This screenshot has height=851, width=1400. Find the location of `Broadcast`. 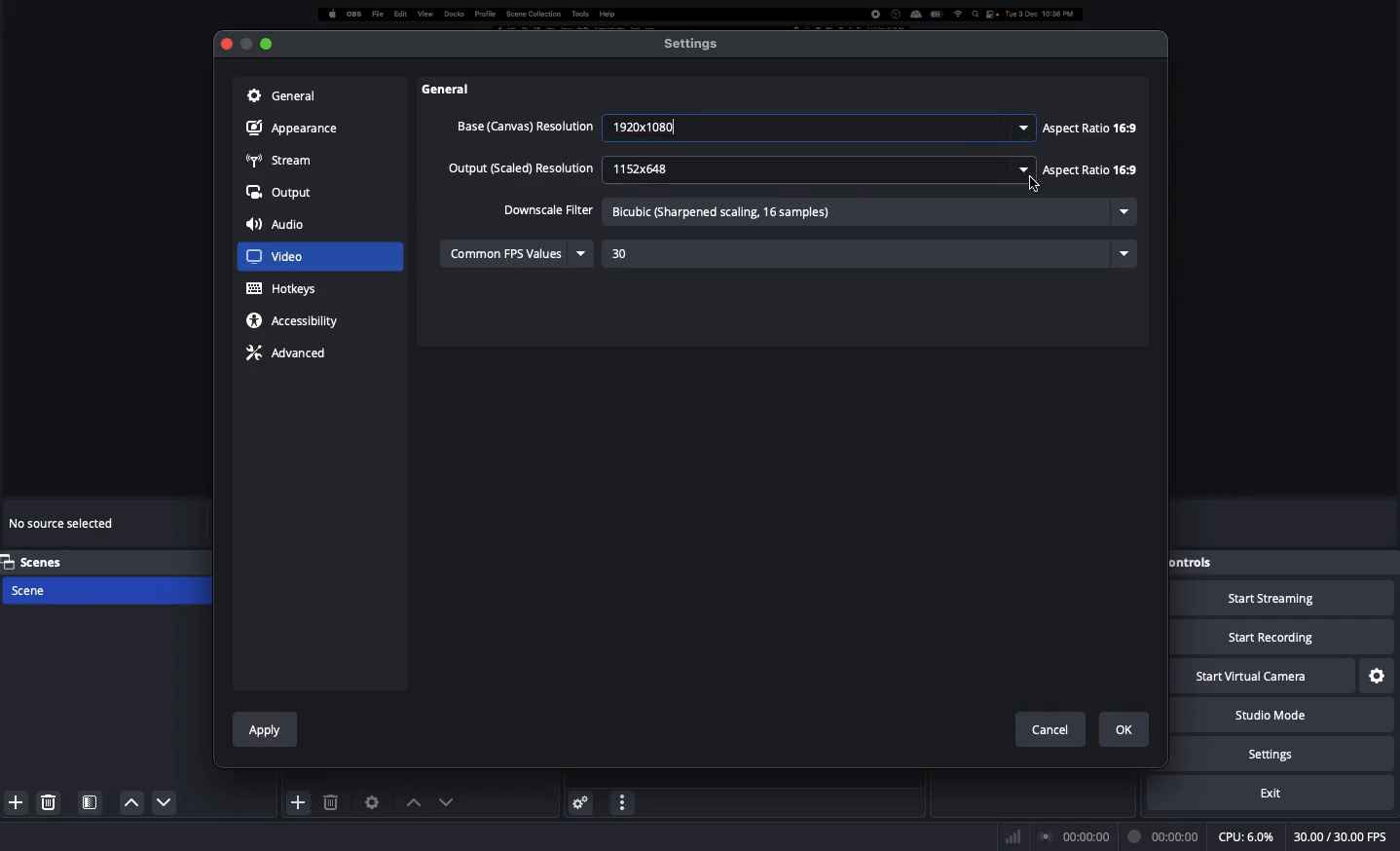

Broadcast is located at coordinates (1076, 836).